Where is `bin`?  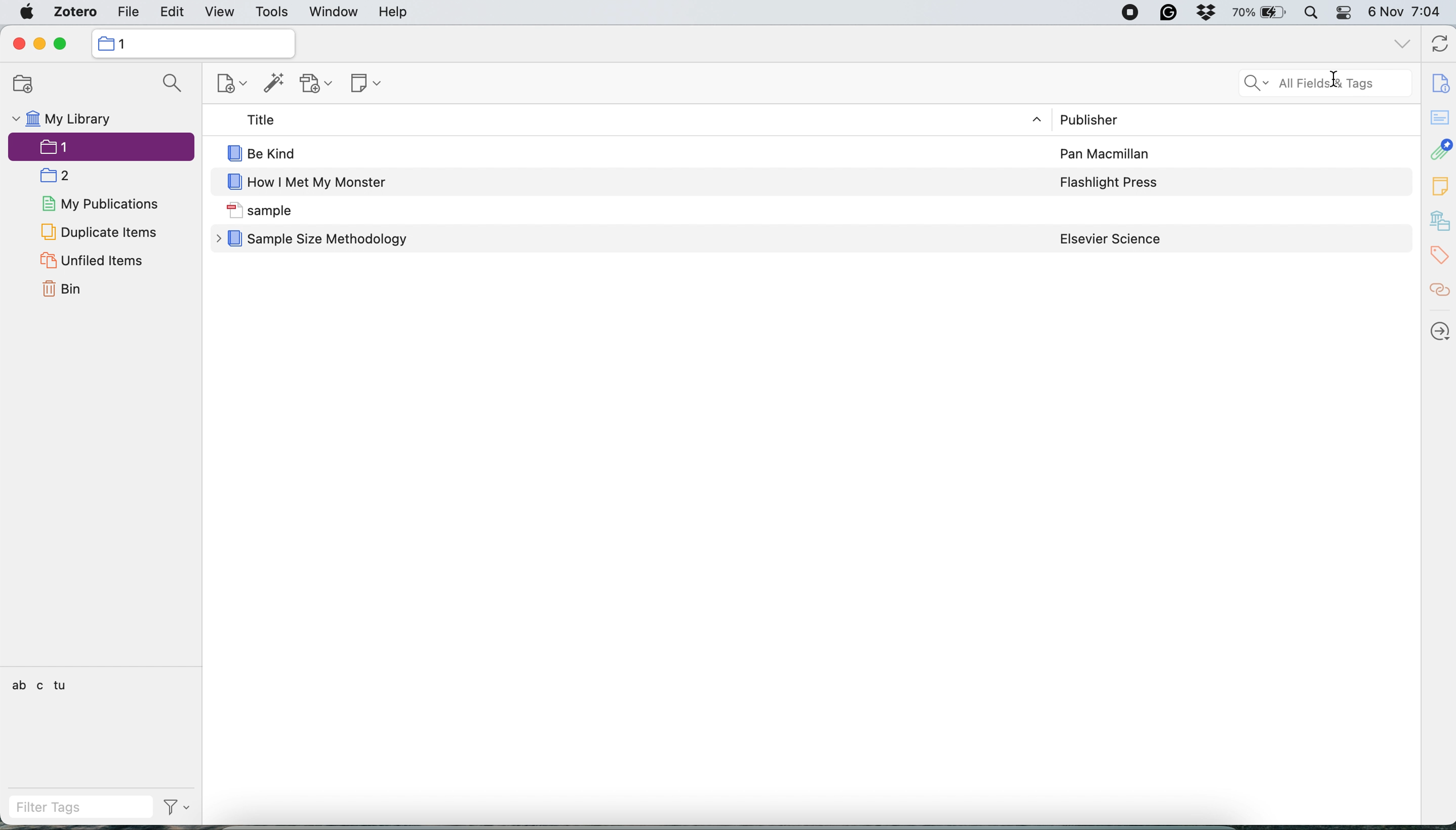 bin is located at coordinates (66, 288).